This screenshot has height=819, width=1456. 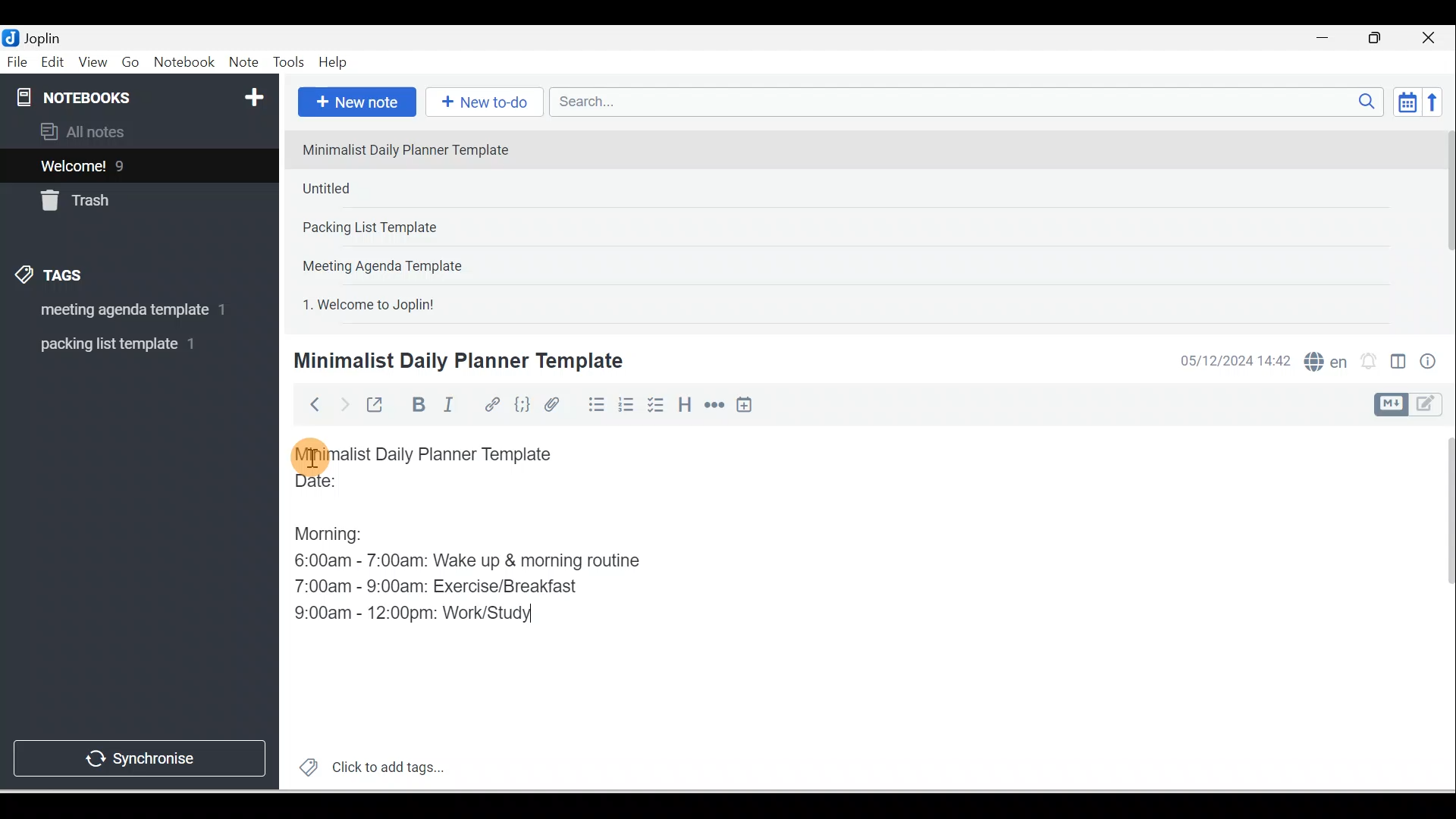 I want to click on All notes, so click(x=137, y=131).